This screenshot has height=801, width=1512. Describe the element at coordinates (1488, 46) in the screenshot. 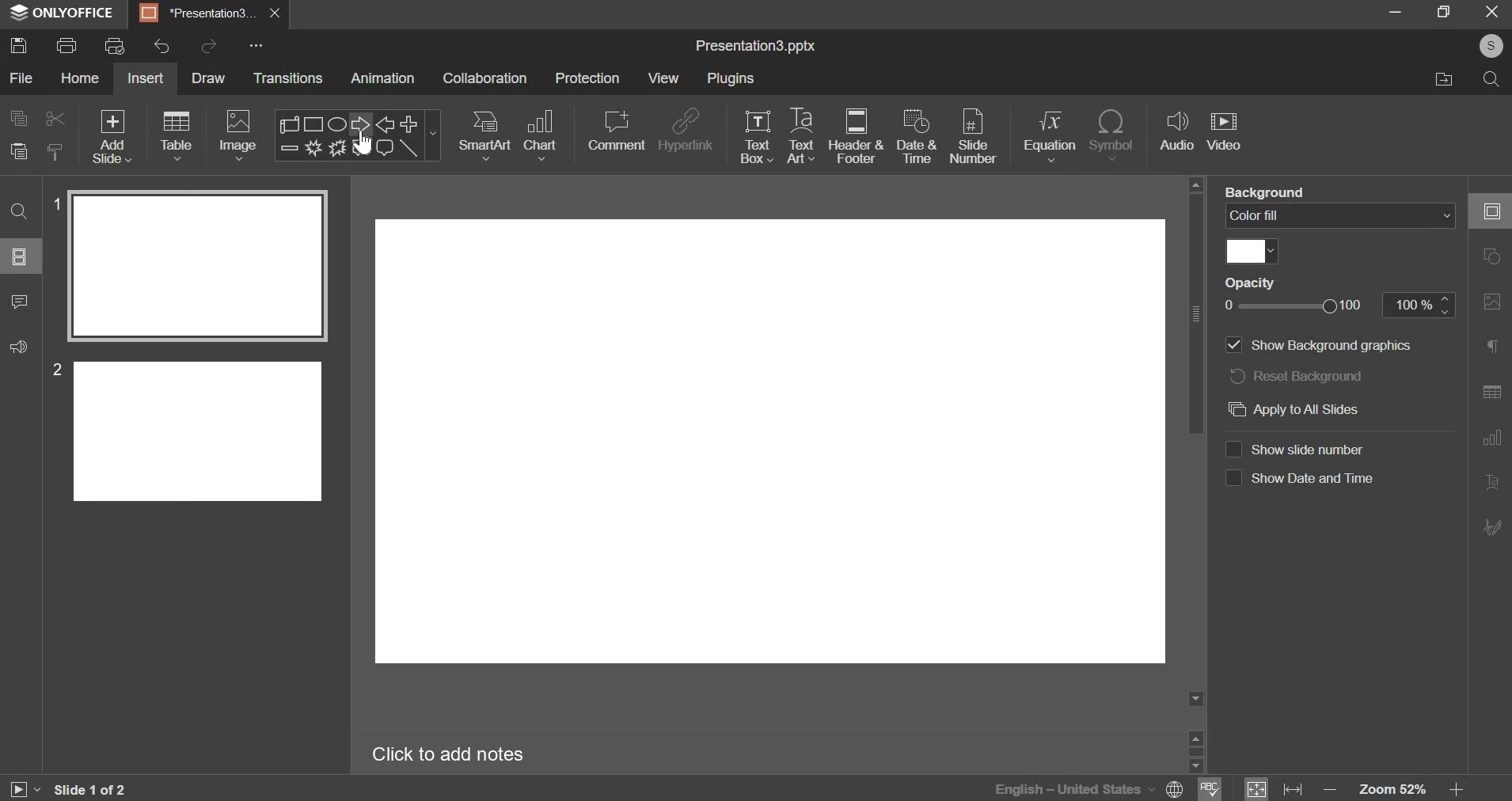

I see `account holder` at that location.